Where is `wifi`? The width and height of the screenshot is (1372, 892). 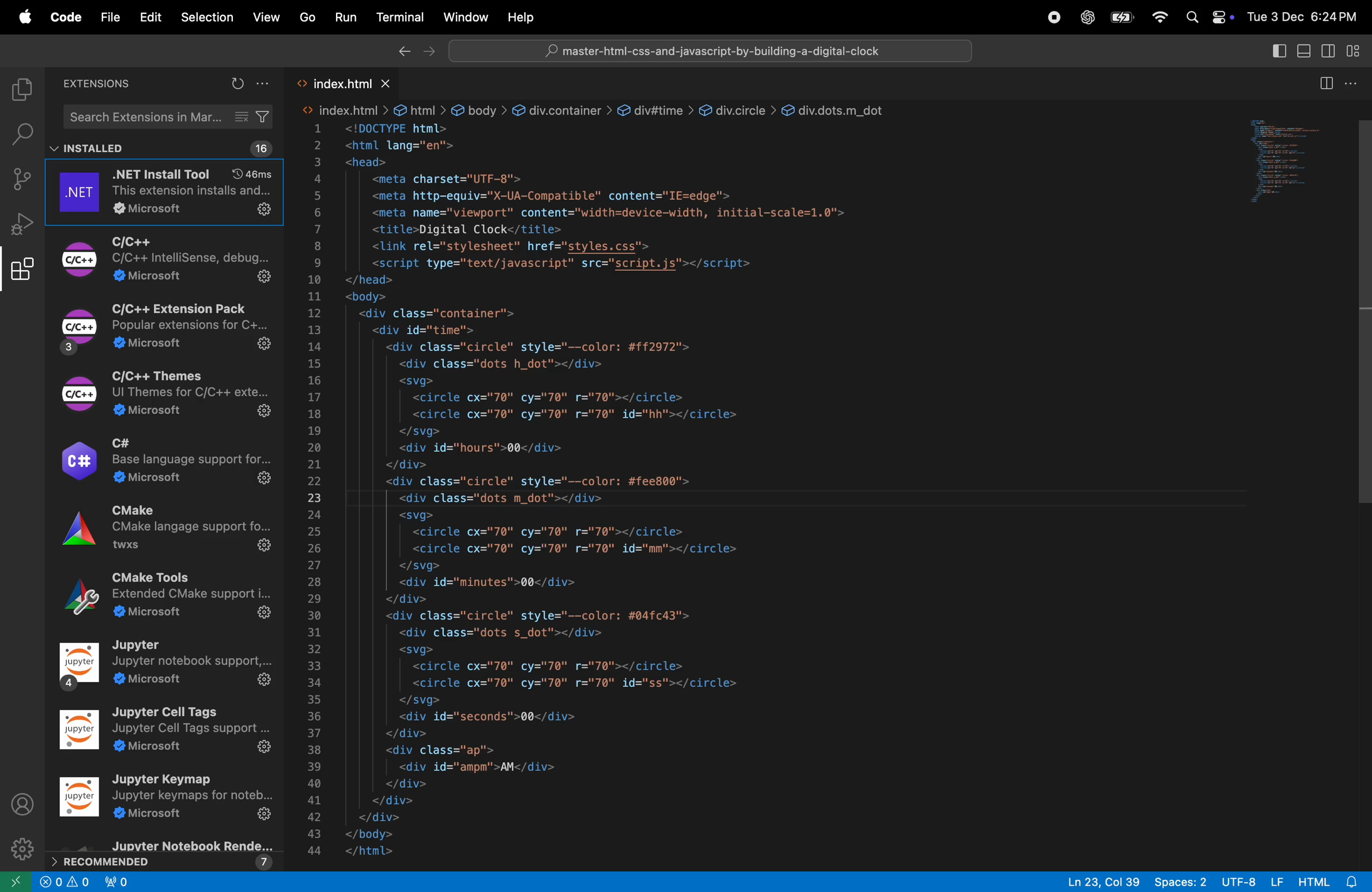
wifi is located at coordinates (1159, 17).